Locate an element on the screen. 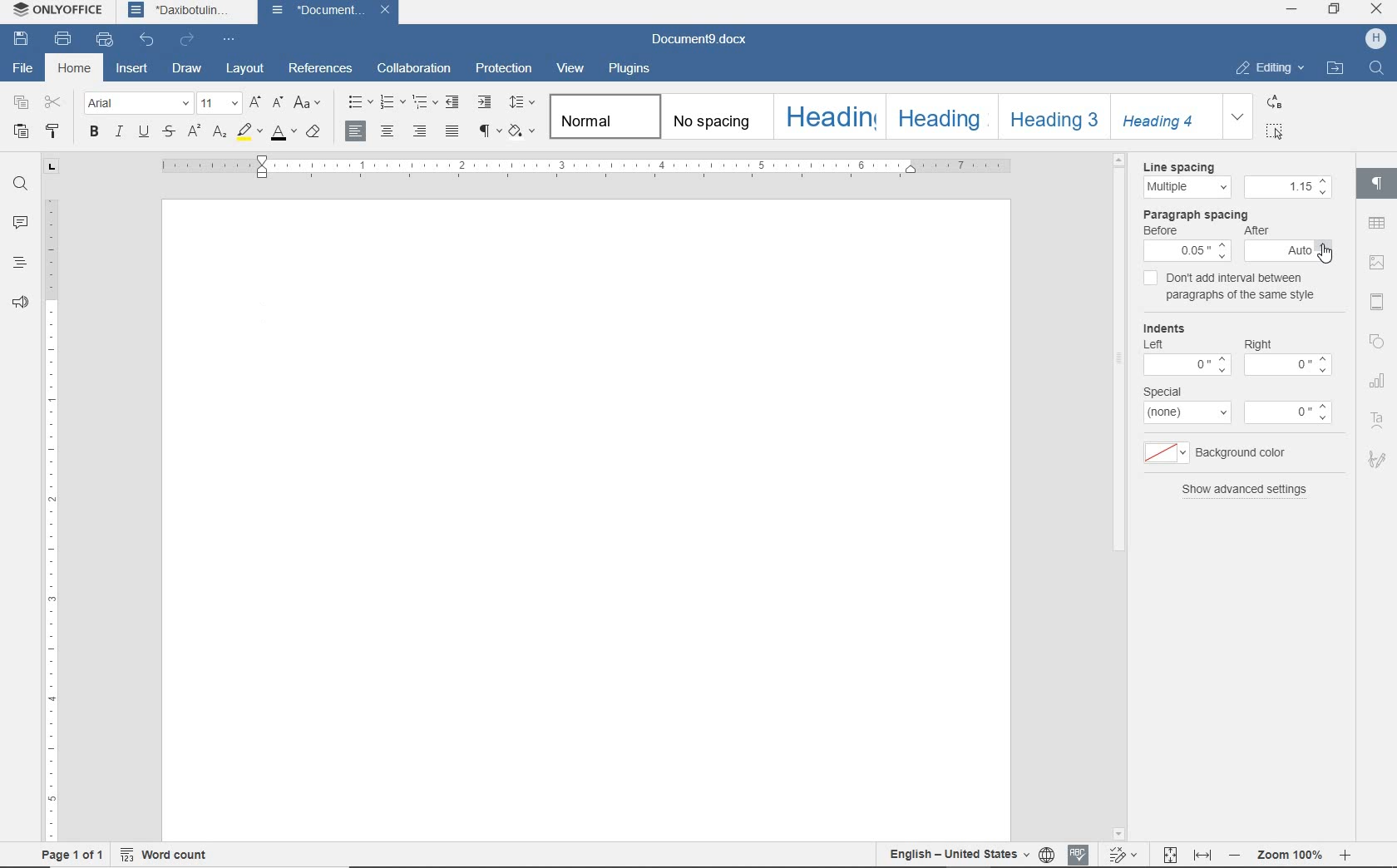  italic is located at coordinates (120, 133).